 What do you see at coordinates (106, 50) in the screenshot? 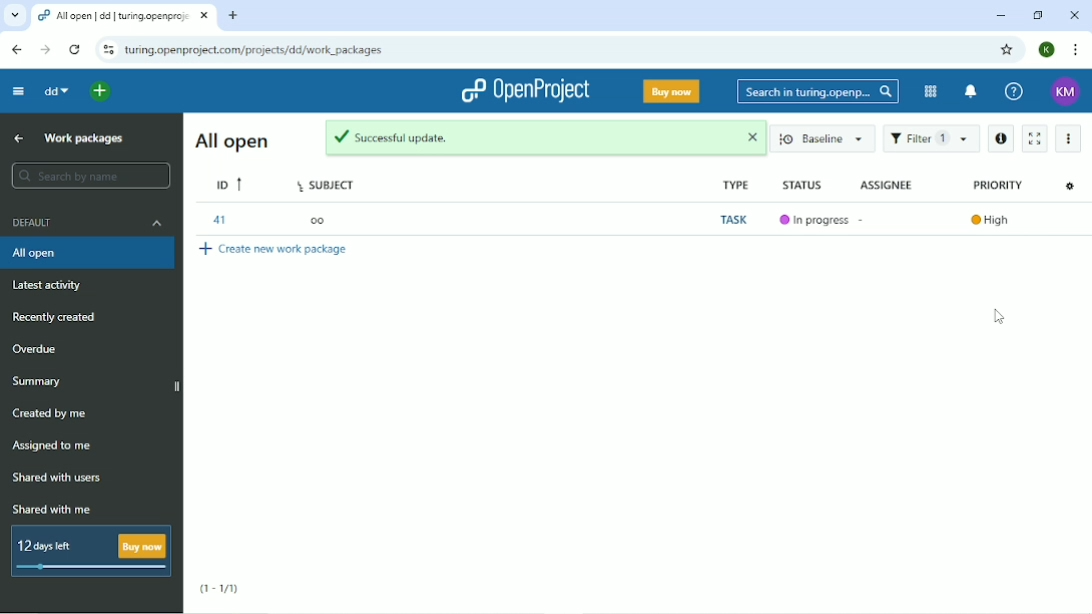
I see `View site information` at bounding box center [106, 50].